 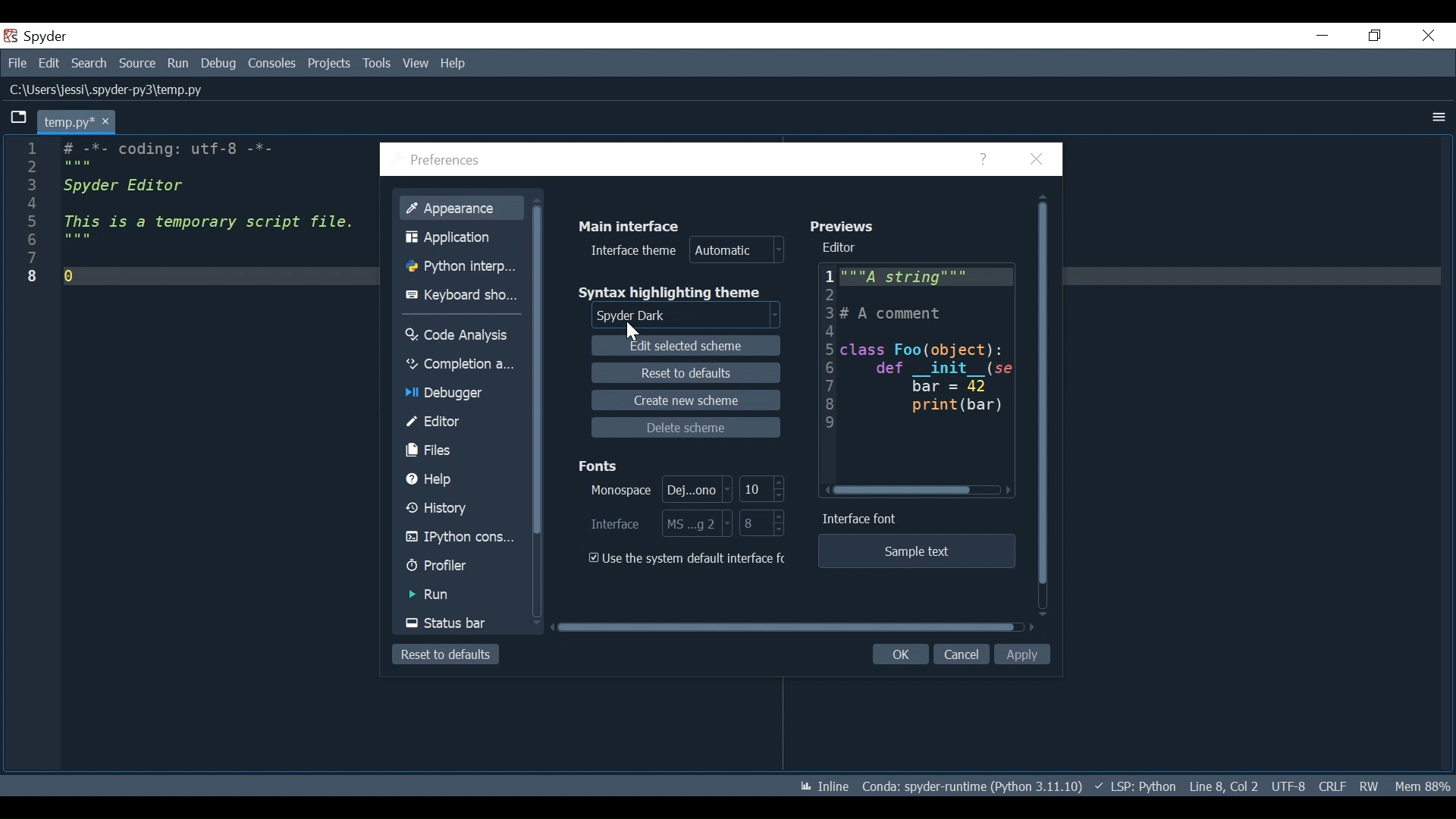 I want to click on Edit, so click(x=51, y=63).